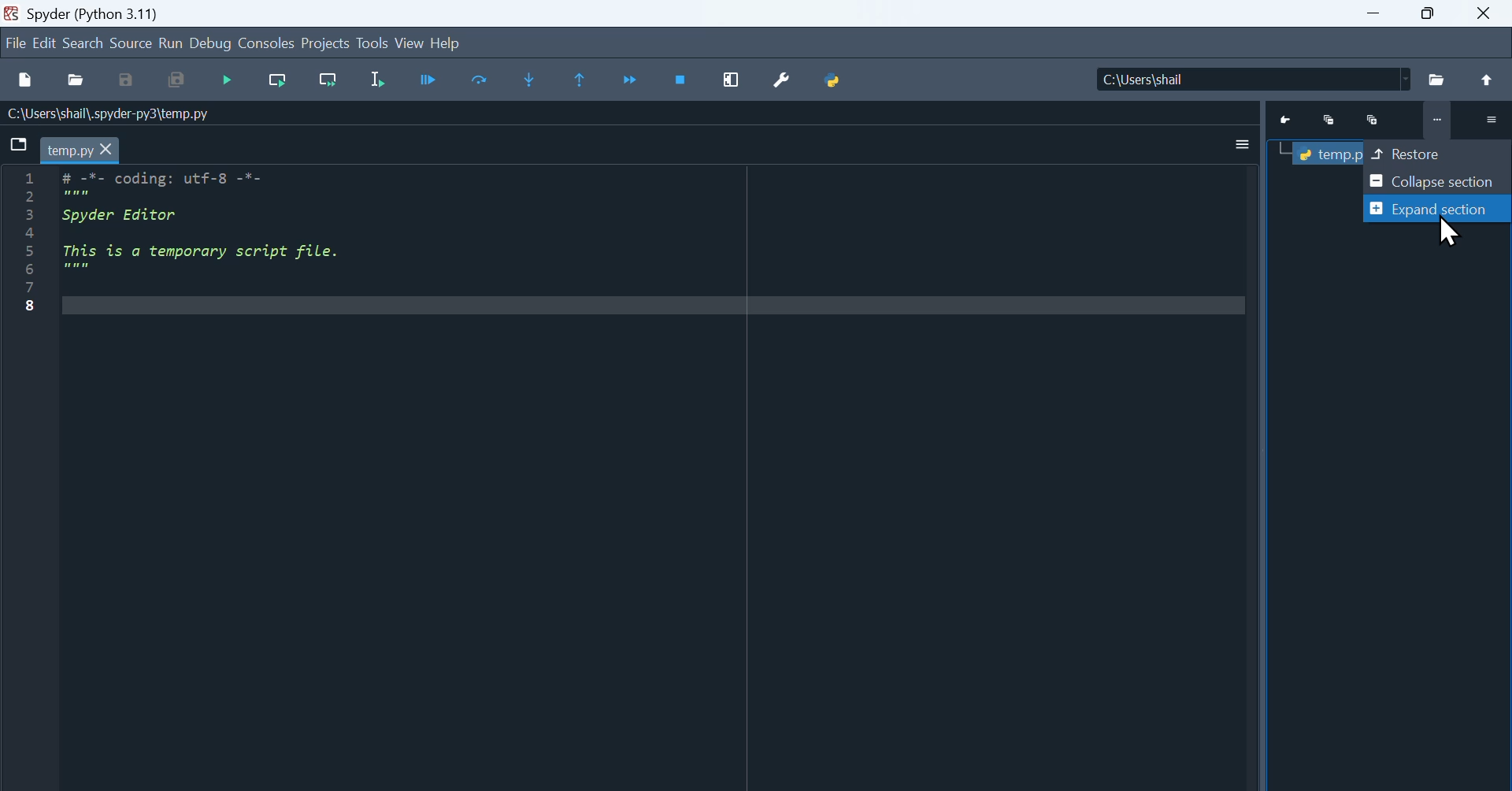 This screenshot has height=791, width=1512. What do you see at coordinates (1437, 209) in the screenshot?
I see `Expand section` at bounding box center [1437, 209].